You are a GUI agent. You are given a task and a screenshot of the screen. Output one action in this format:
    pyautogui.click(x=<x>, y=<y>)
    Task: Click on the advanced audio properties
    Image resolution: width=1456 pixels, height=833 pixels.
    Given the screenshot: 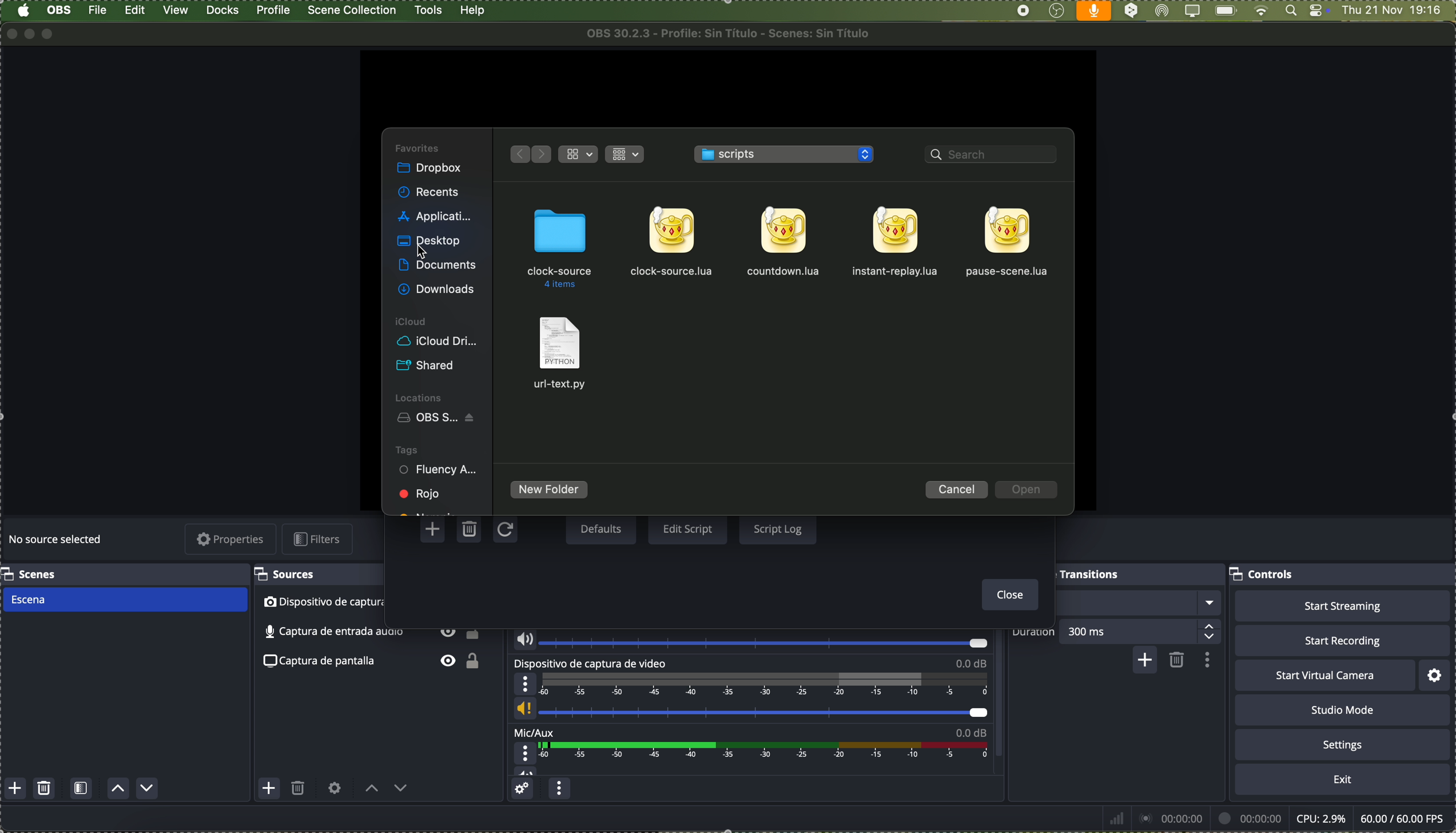 What is the action you would take?
    pyautogui.click(x=524, y=790)
    